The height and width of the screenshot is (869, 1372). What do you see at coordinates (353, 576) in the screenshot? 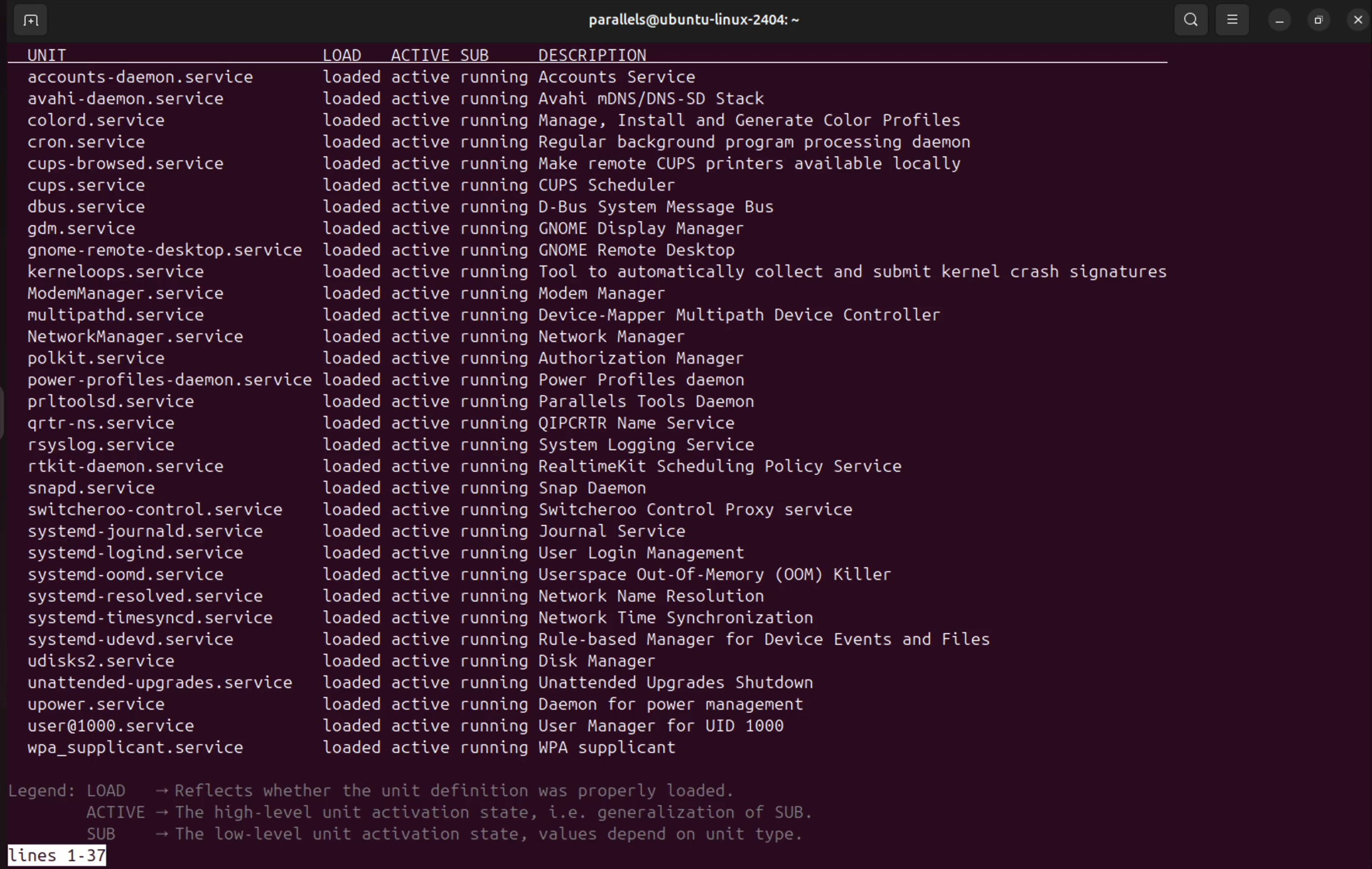
I see `loaded` at bounding box center [353, 576].